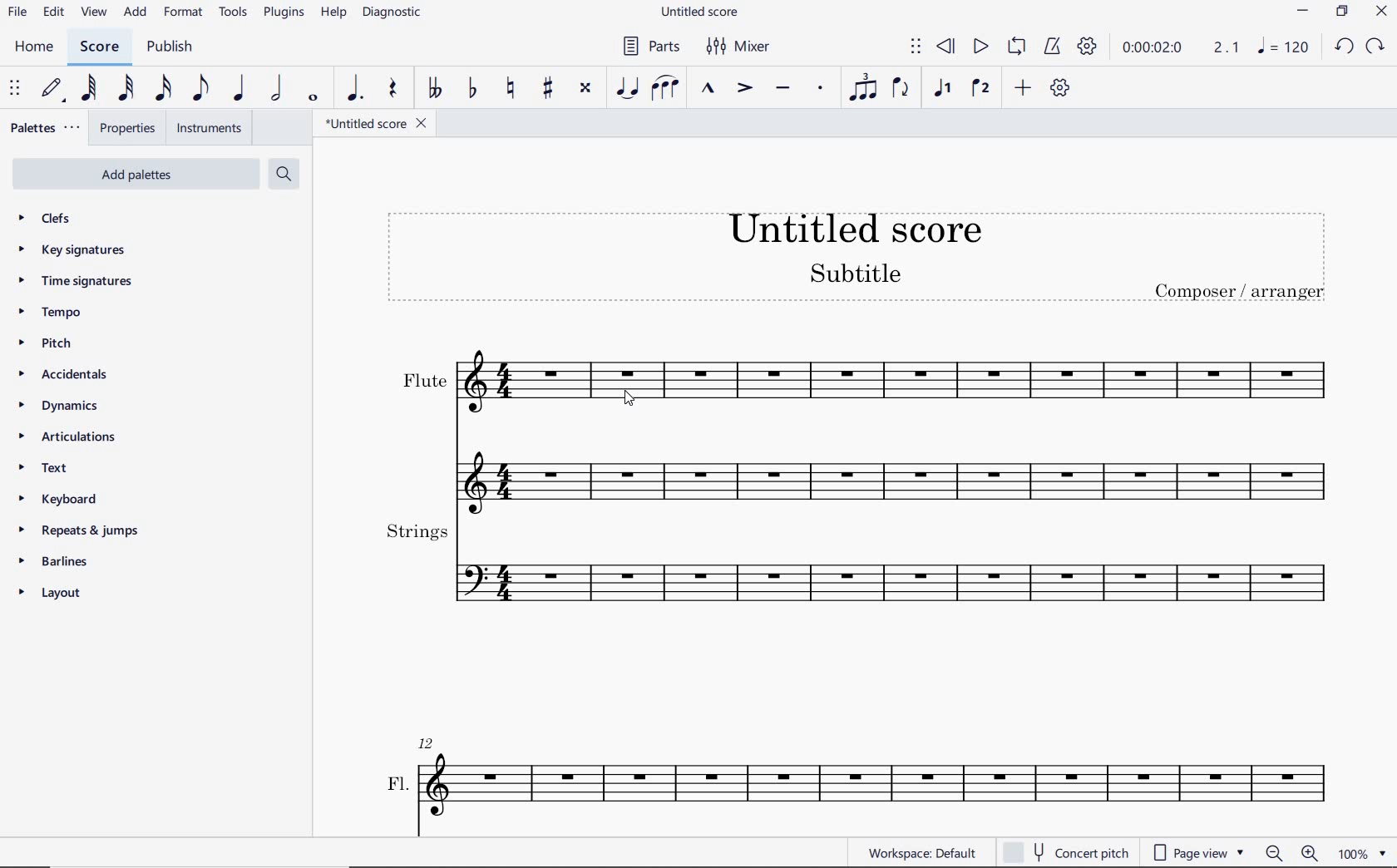 Image resolution: width=1397 pixels, height=868 pixels. What do you see at coordinates (135, 12) in the screenshot?
I see `ADD` at bounding box center [135, 12].